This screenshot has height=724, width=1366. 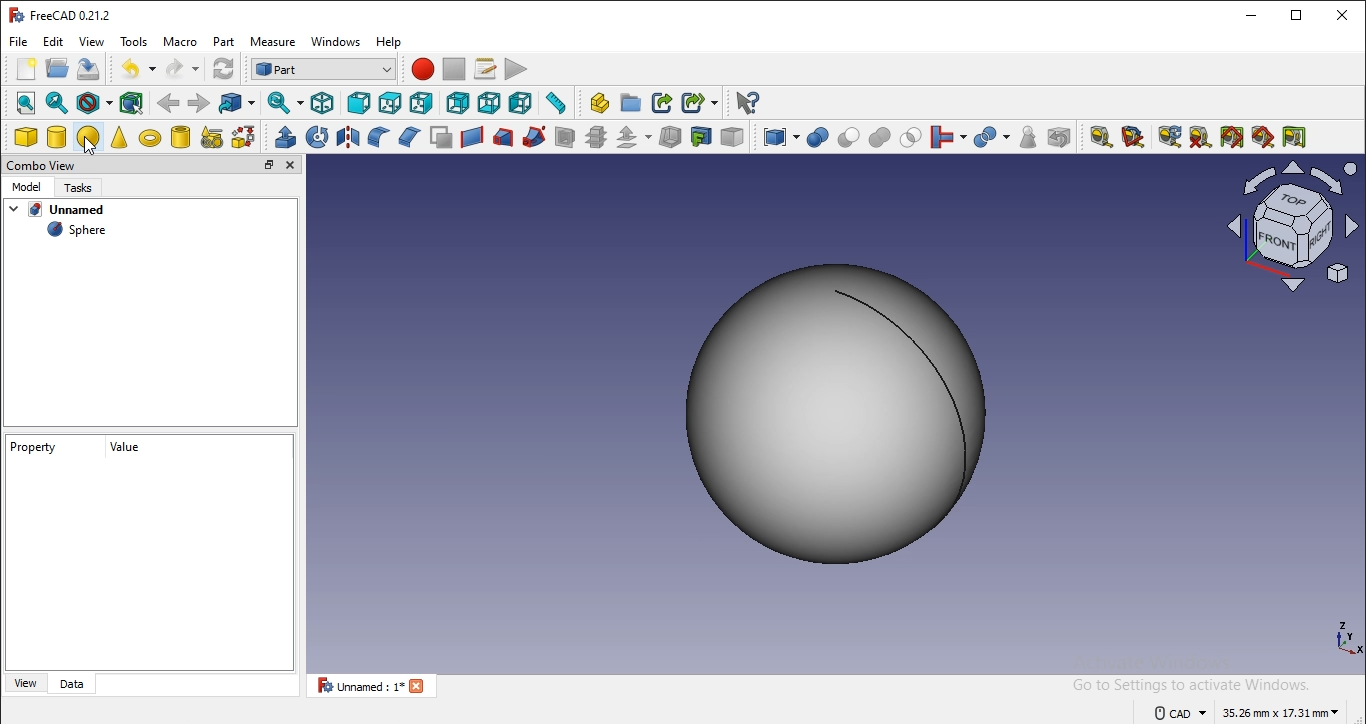 What do you see at coordinates (841, 410) in the screenshot?
I see `image` at bounding box center [841, 410].